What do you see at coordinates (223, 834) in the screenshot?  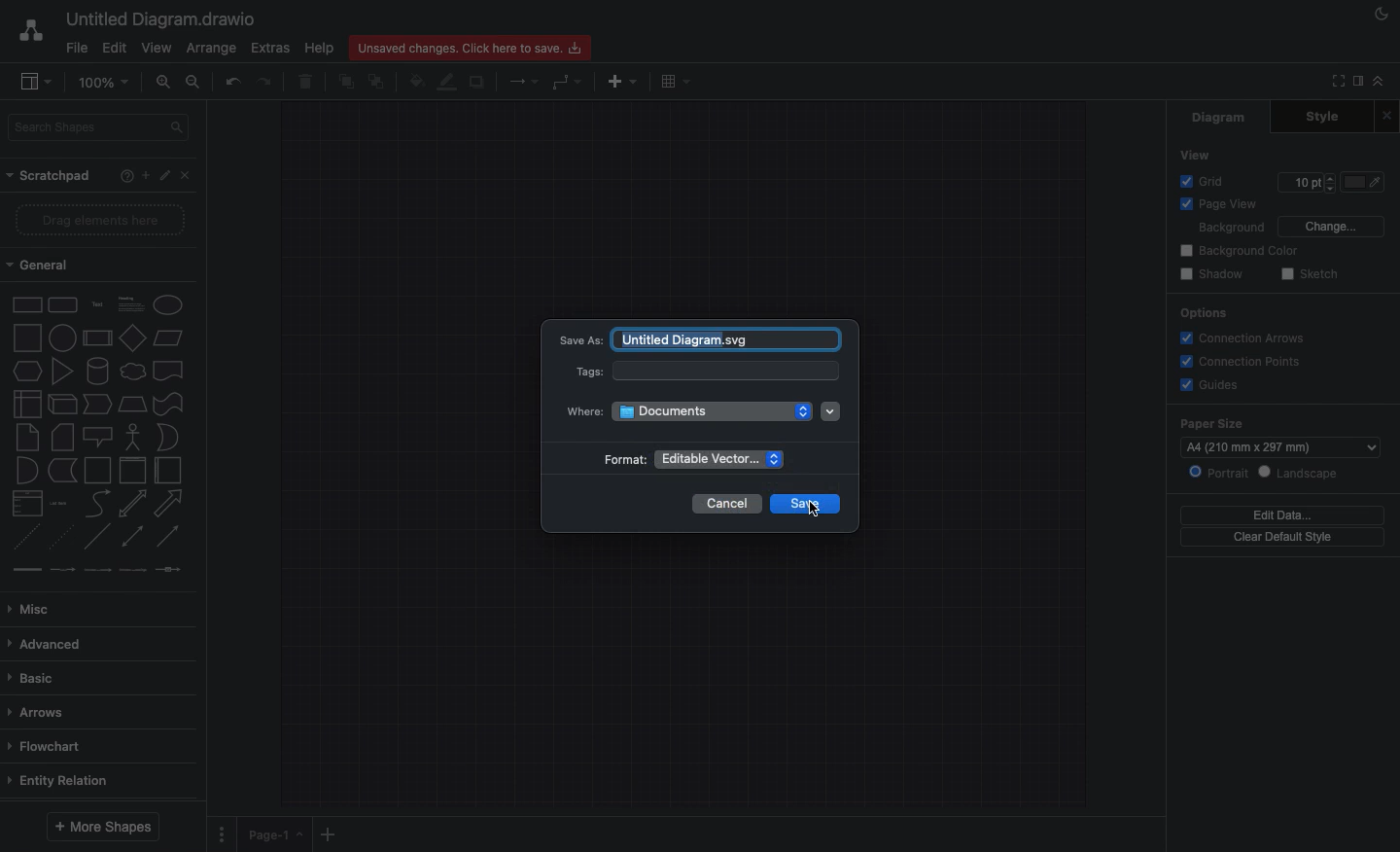 I see `Options` at bounding box center [223, 834].